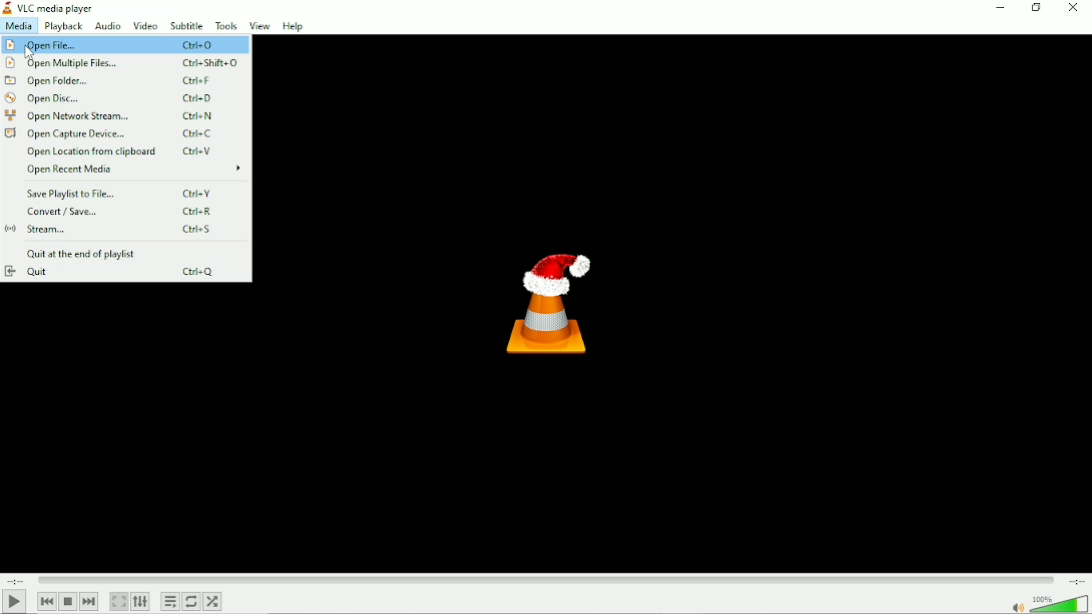 The width and height of the screenshot is (1092, 614). What do you see at coordinates (133, 169) in the screenshot?
I see `Open recent media` at bounding box center [133, 169].